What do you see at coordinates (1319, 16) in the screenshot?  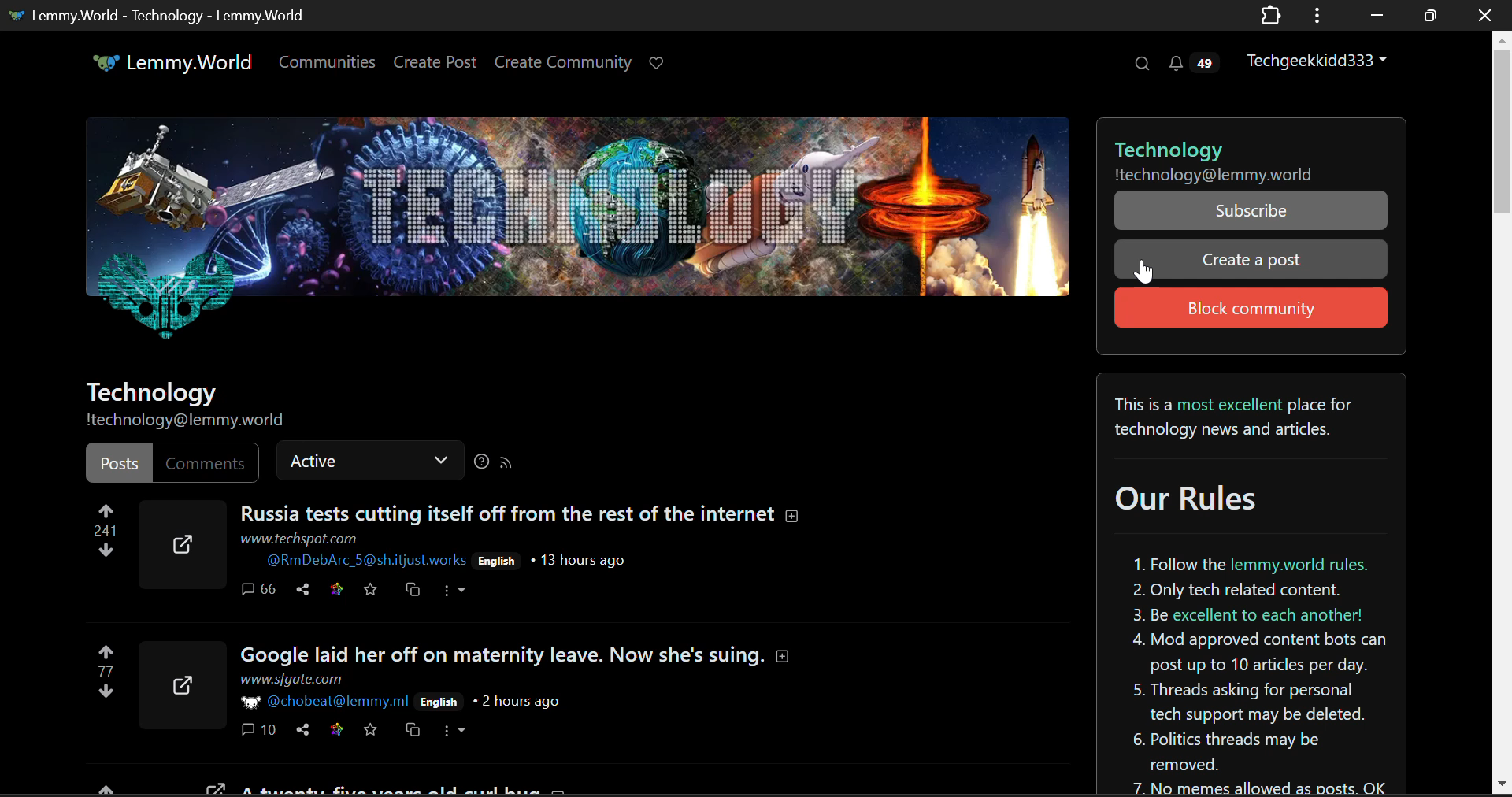 I see `Window Options` at bounding box center [1319, 16].